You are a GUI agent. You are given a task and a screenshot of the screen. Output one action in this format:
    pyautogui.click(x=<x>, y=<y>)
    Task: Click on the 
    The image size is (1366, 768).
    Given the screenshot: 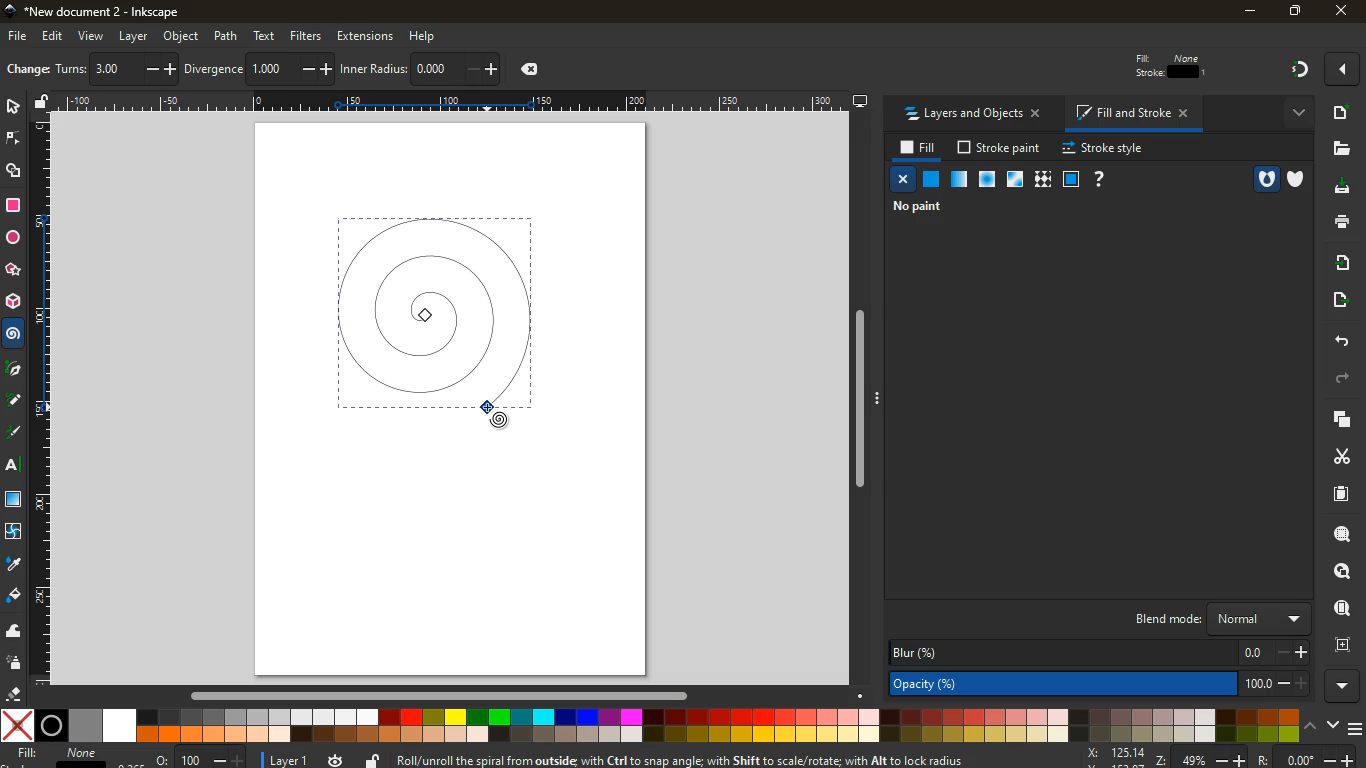 What is the action you would take?
    pyautogui.click(x=438, y=698)
    